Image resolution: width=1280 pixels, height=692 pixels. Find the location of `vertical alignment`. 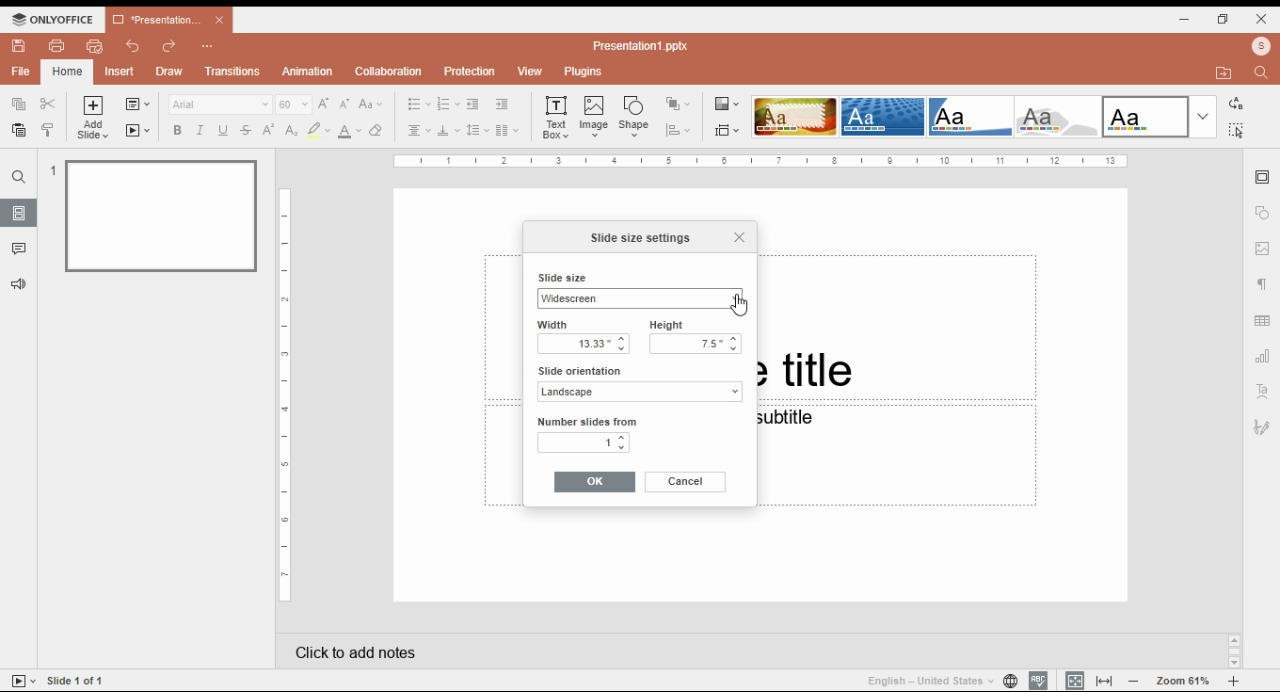

vertical alignment is located at coordinates (448, 133).